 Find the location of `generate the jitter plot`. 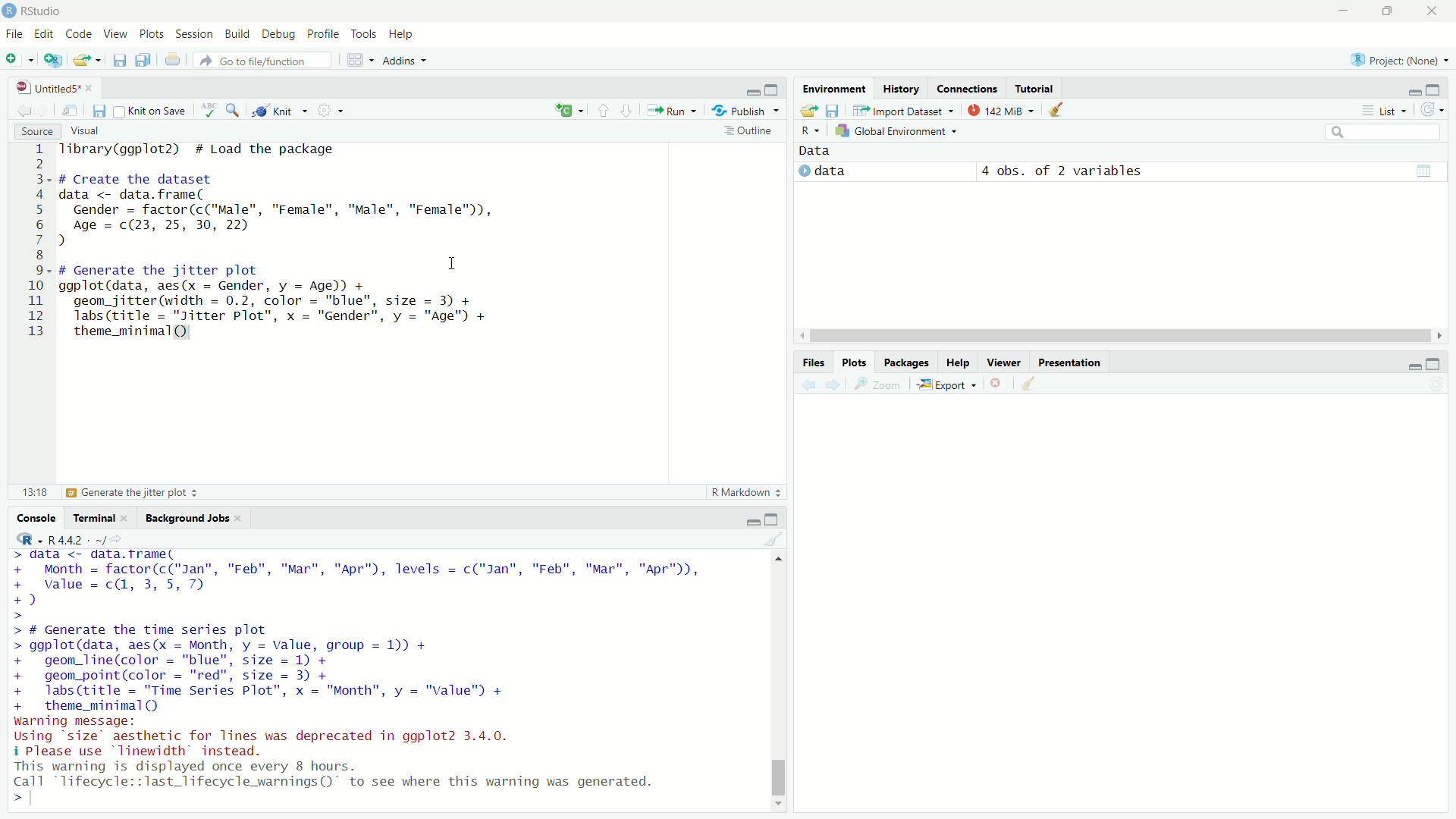

generate the jitter plot is located at coordinates (136, 493).